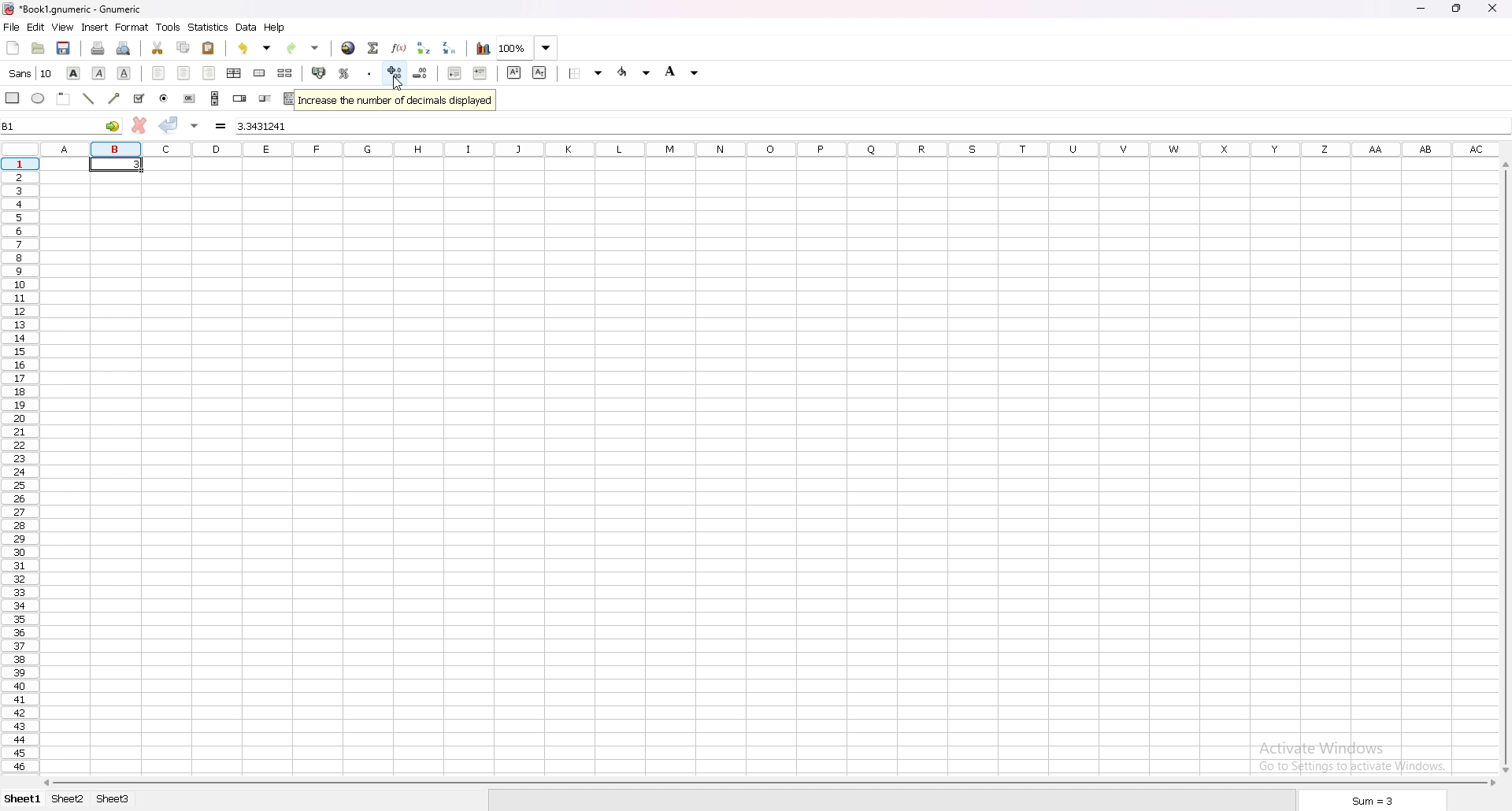  I want to click on cancel changes, so click(139, 125).